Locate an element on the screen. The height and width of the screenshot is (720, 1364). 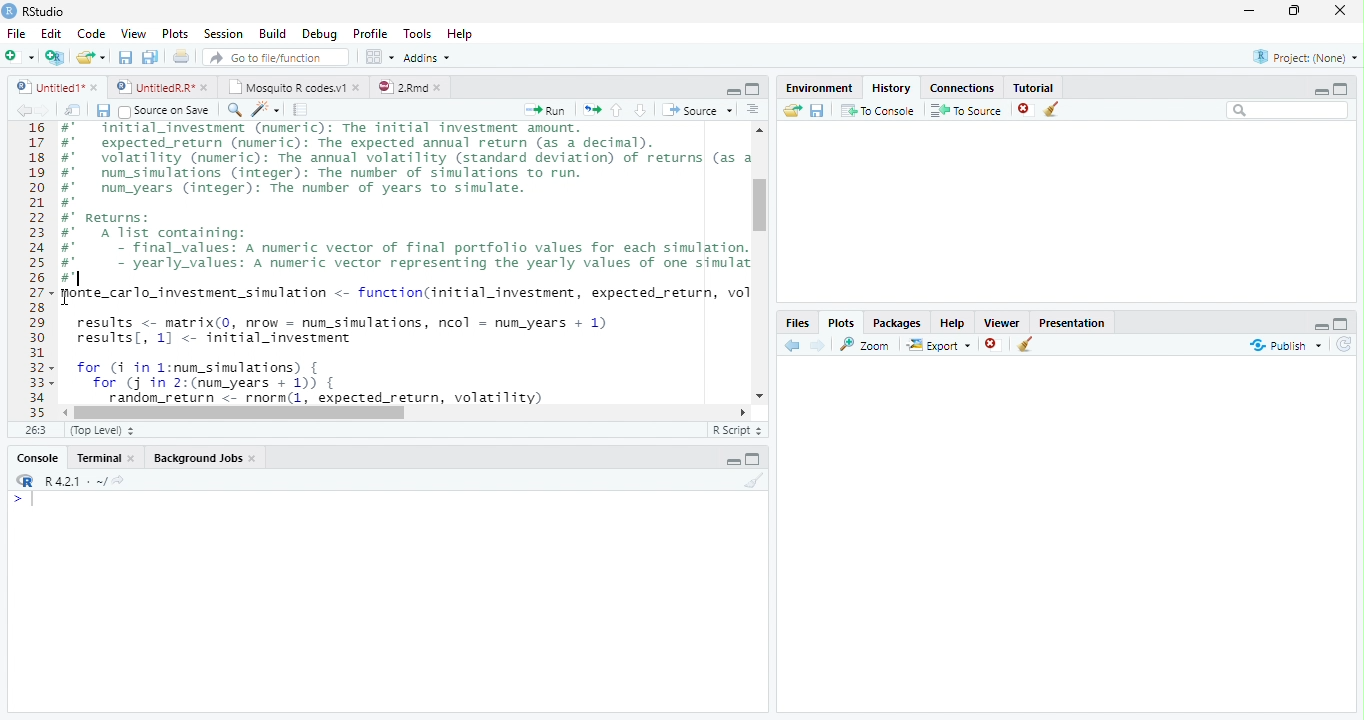
Save is located at coordinates (103, 110).